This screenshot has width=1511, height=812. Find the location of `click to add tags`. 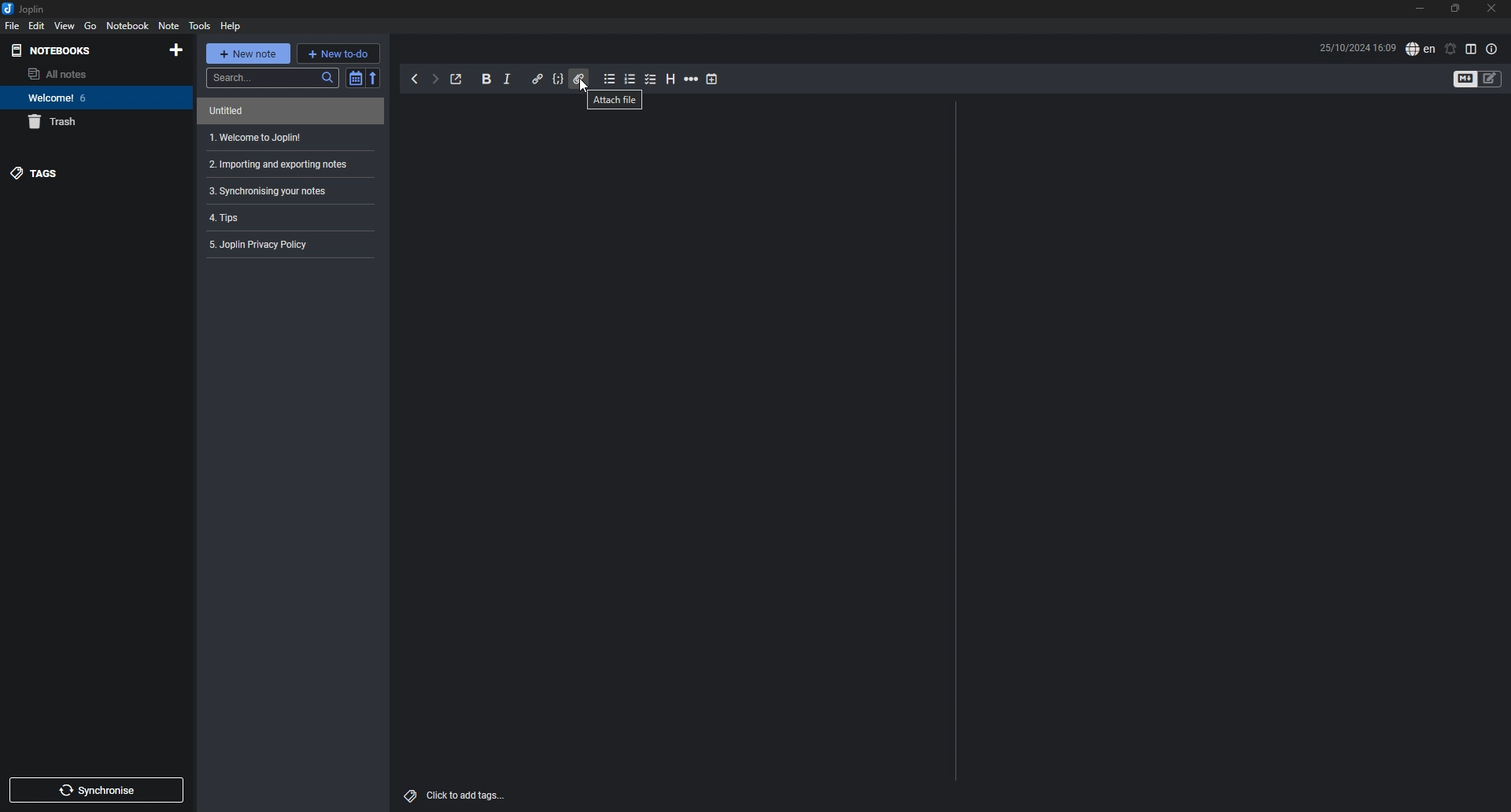

click to add tags is located at coordinates (455, 795).